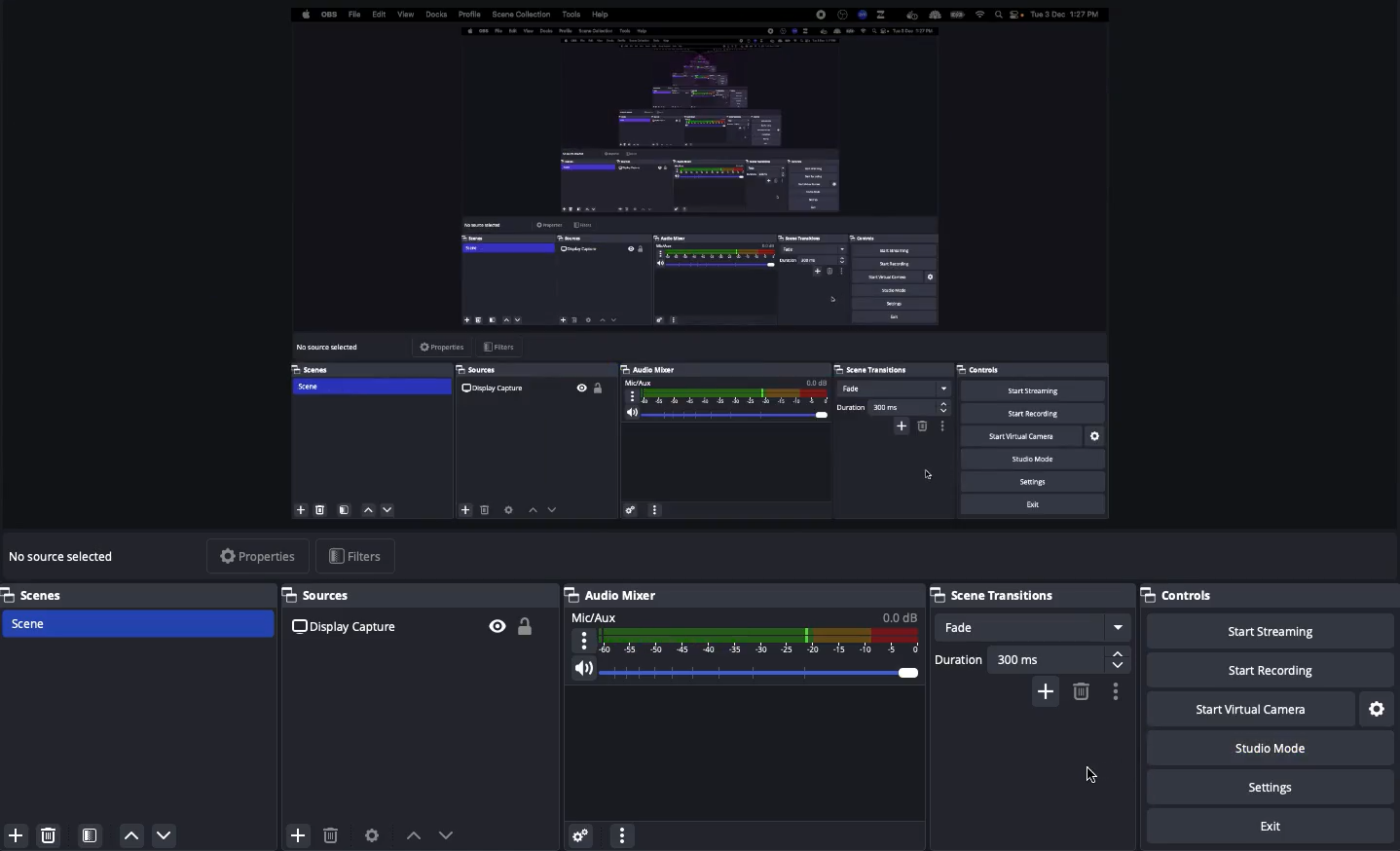  What do you see at coordinates (138, 594) in the screenshot?
I see `Scenes` at bounding box center [138, 594].